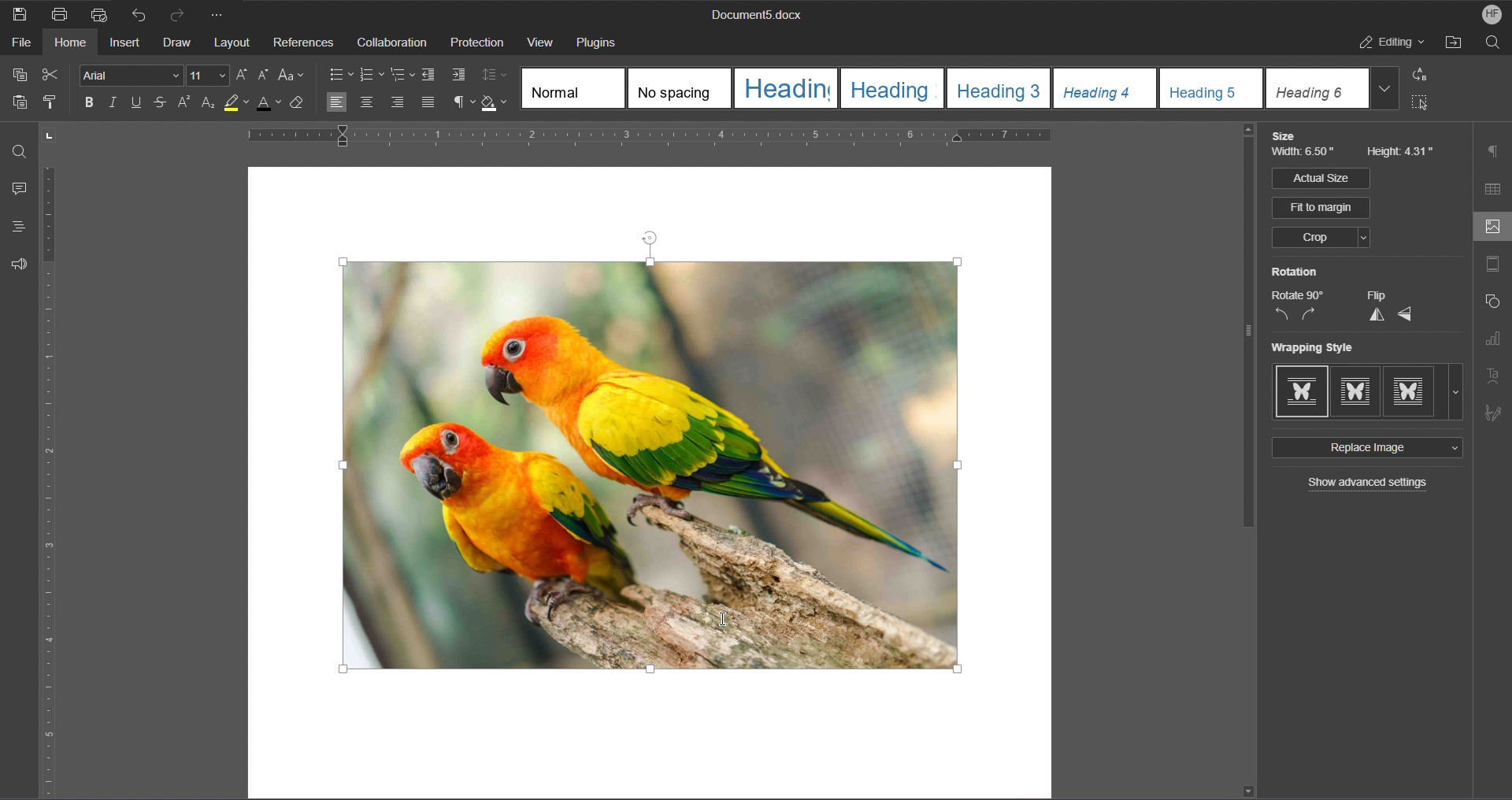 Image resolution: width=1512 pixels, height=800 pixels. What do you see at coordinates (54, 75) in the screenshot?
I see `Cut` at bounding box center [54, 75].